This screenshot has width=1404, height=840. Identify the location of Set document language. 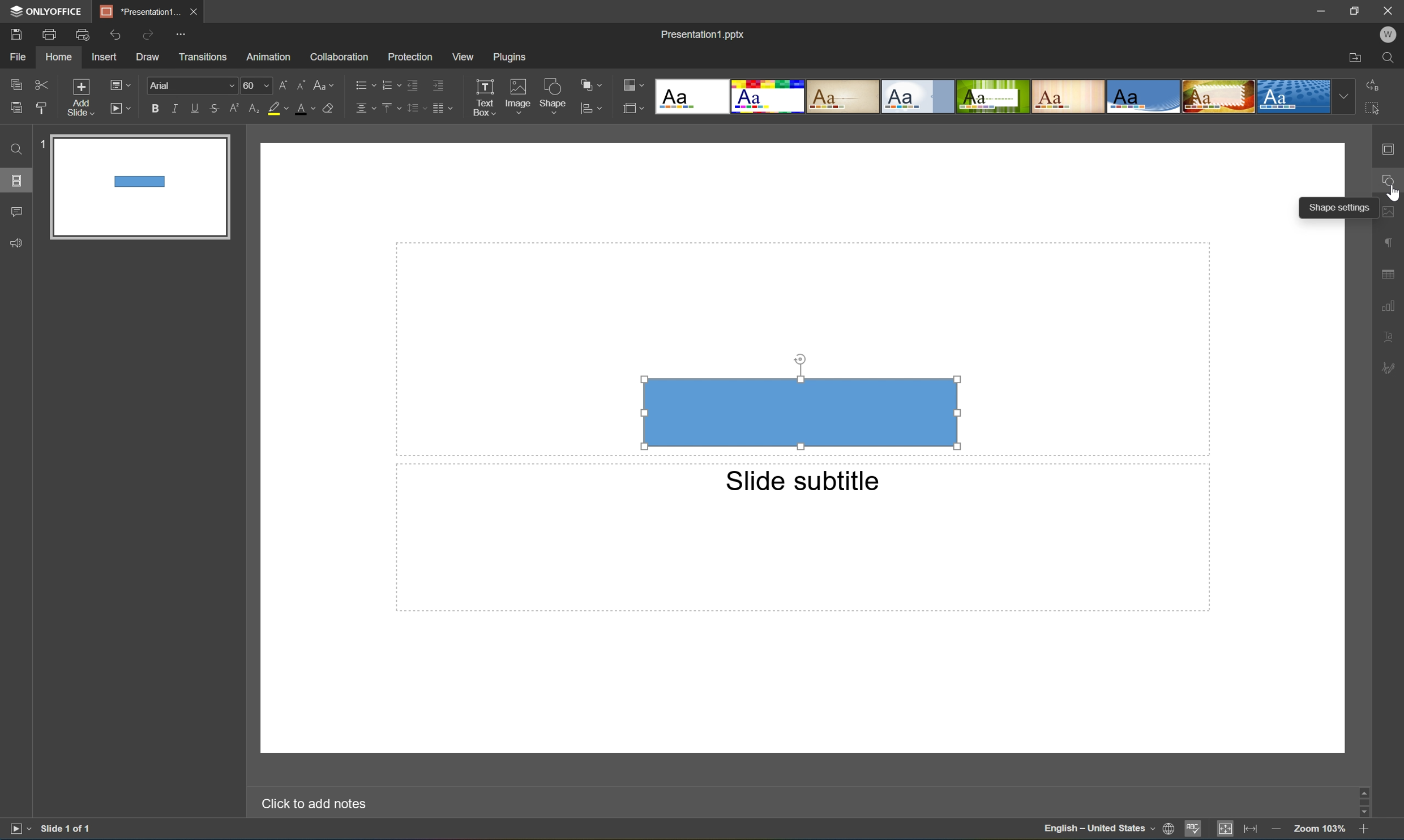
(1168, 830).